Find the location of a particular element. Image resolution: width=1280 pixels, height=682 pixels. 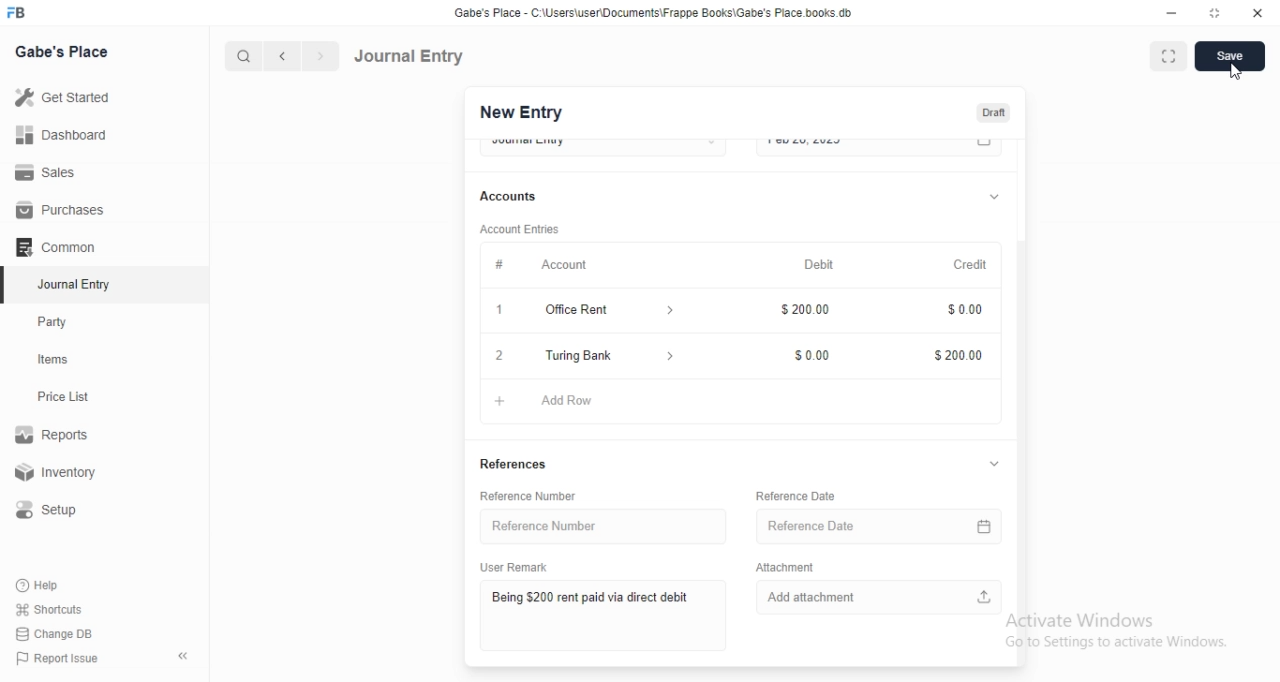

Party is located at coordinates (57, 322).